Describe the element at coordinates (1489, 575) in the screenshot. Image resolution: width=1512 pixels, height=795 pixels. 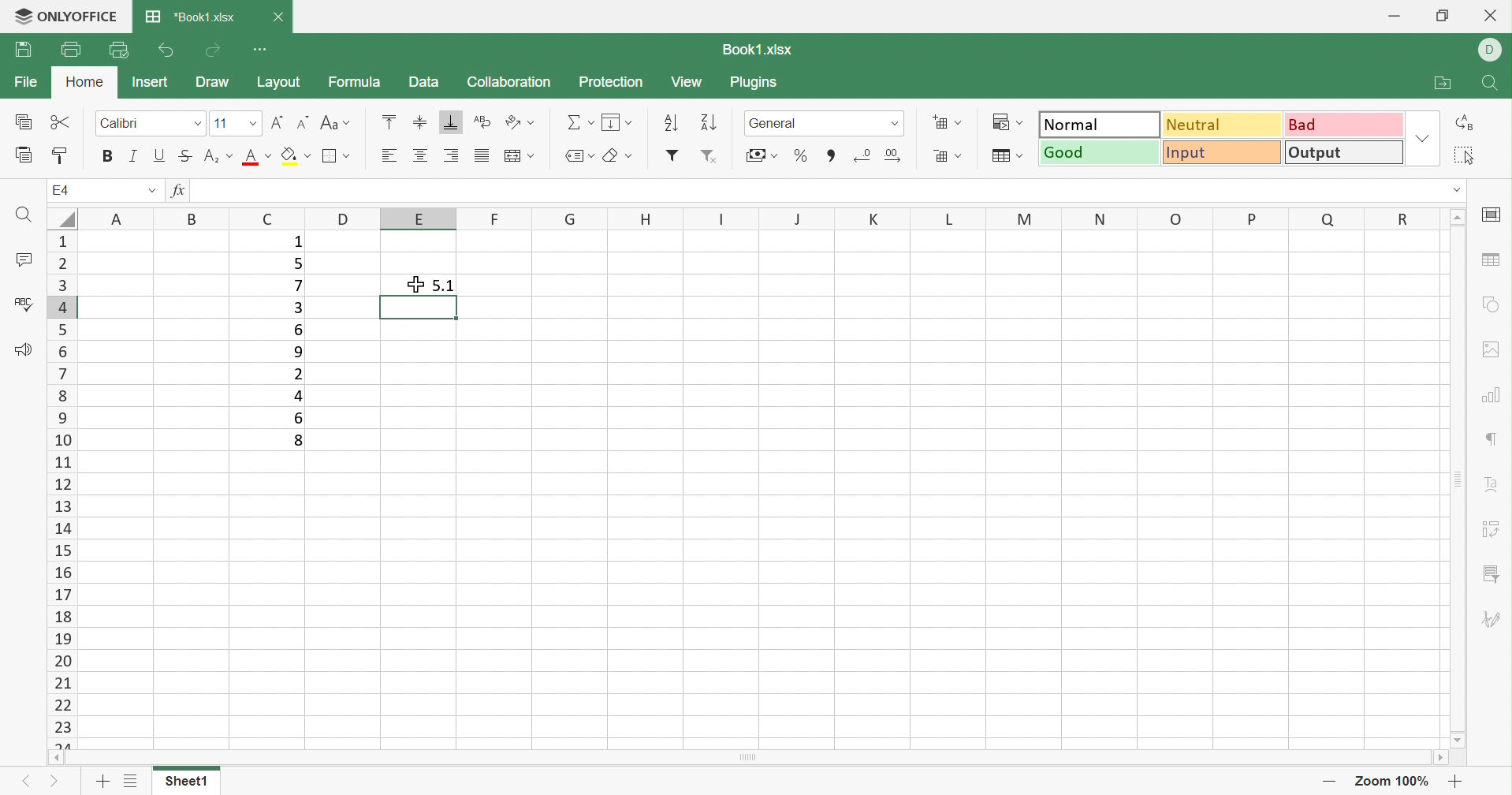
I see `Slicer settings` at that location.